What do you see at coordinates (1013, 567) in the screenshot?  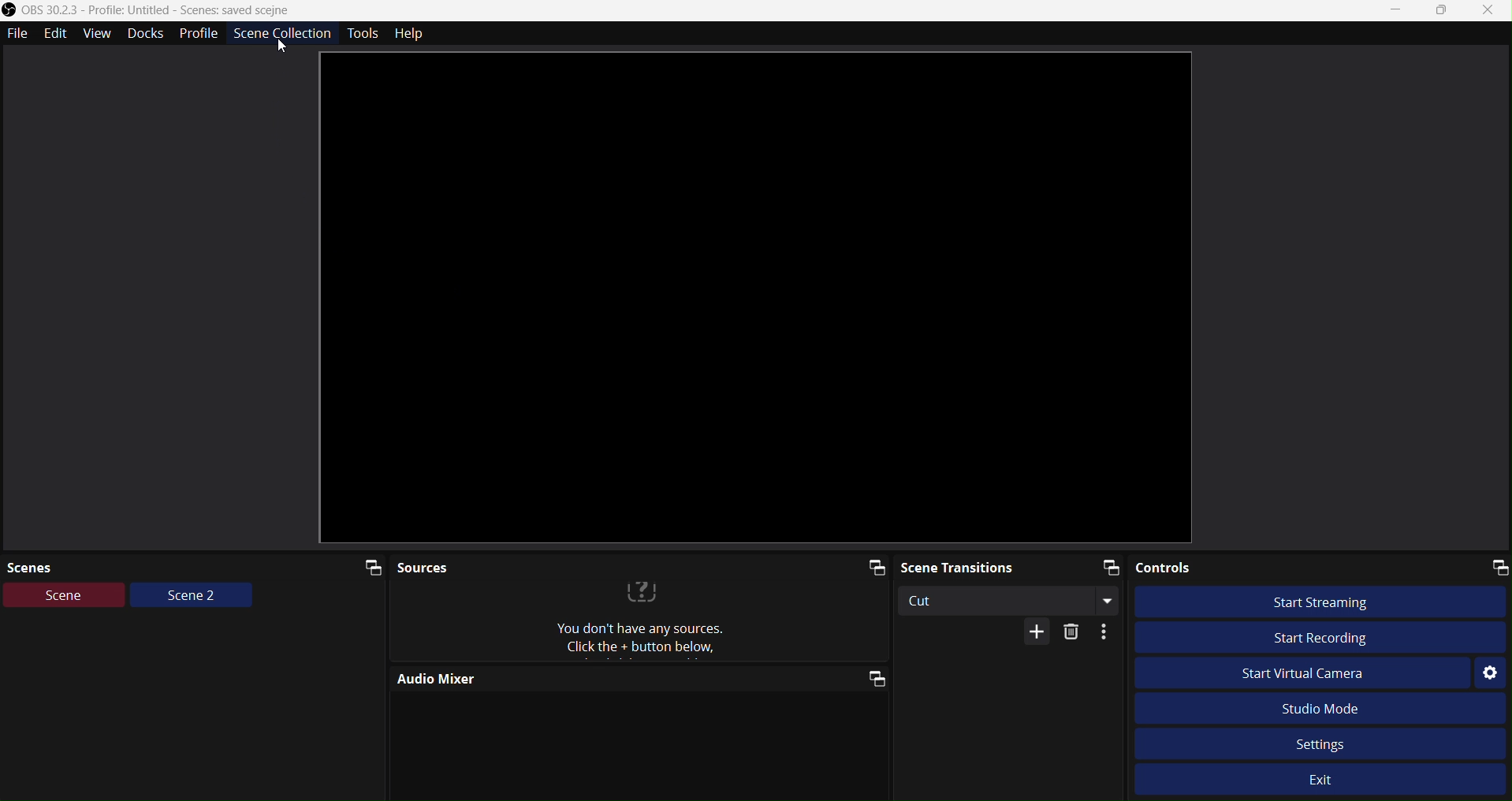 I see `Scene transitions` at bounding box center [1013, 567].